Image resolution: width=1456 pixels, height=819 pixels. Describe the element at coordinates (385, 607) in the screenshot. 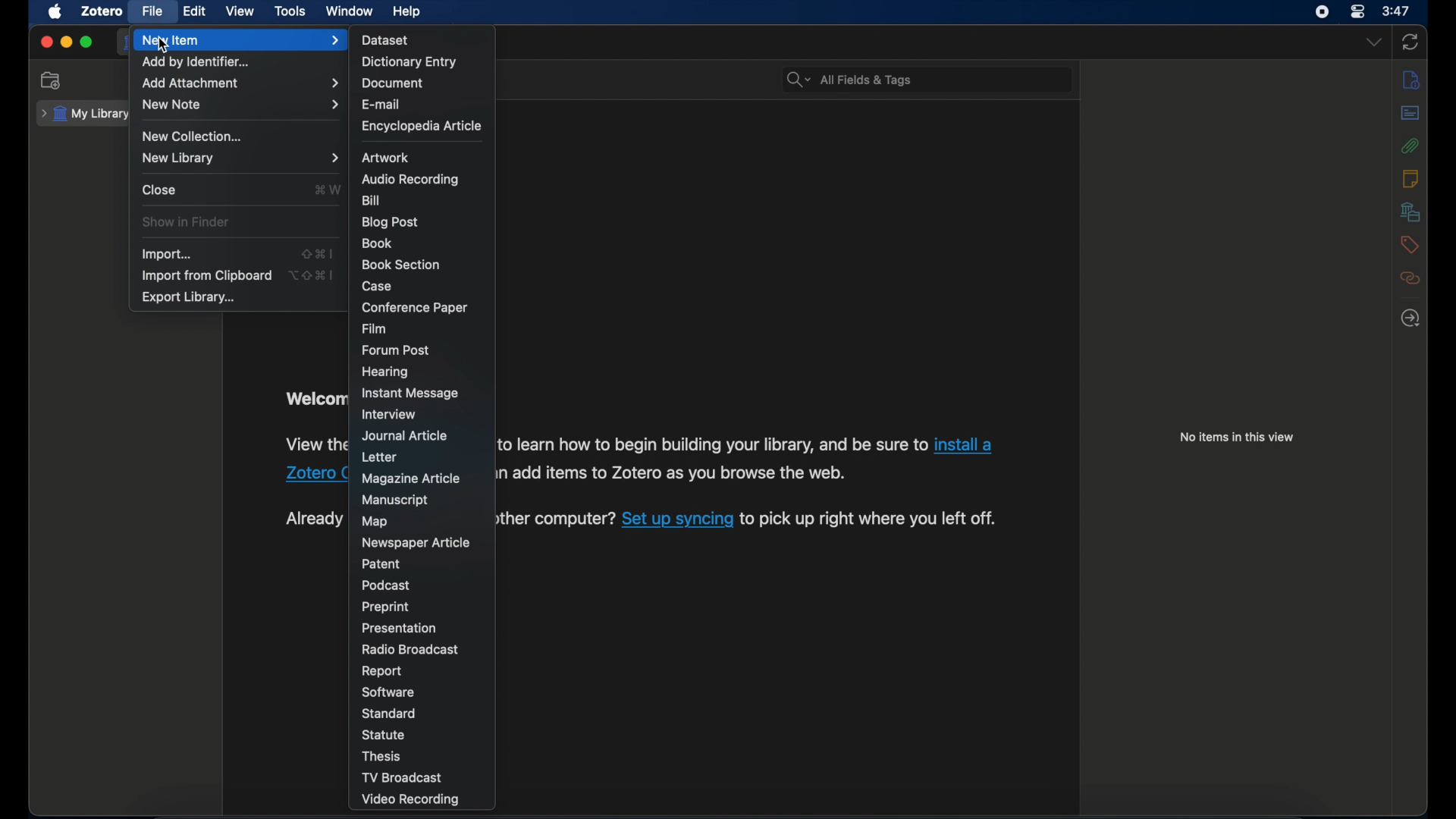

I see `preprint` at that location.